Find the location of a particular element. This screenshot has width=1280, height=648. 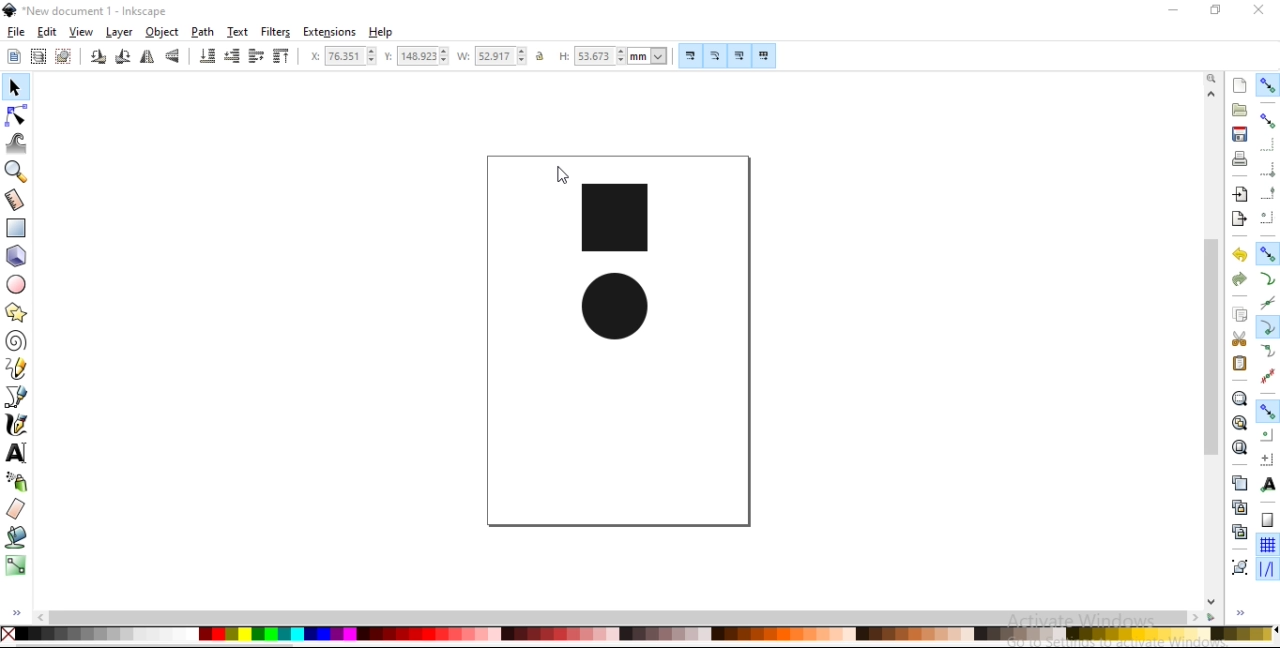

create aclone is located at coordinates (1238, 508).